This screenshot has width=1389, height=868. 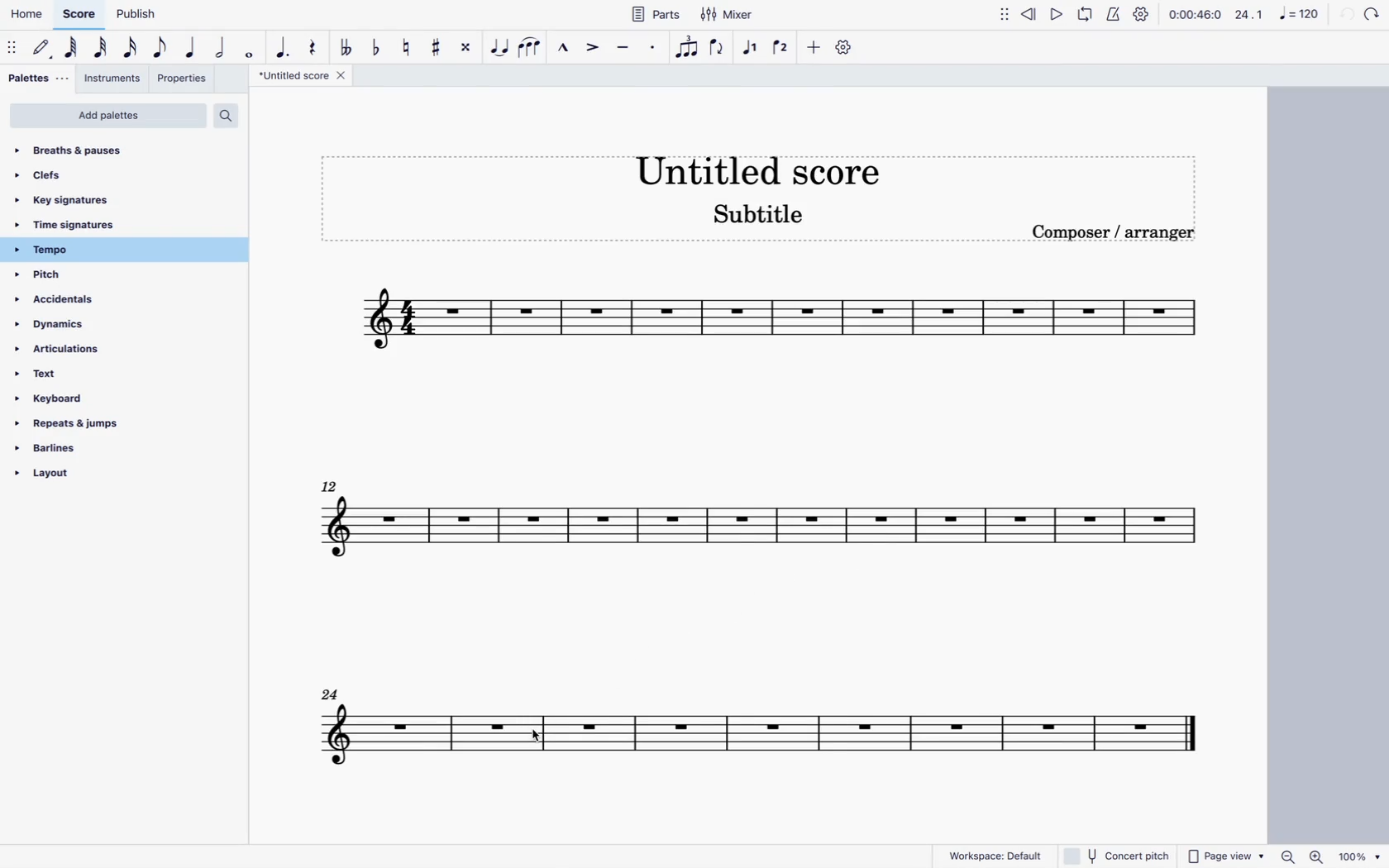 What do you see at coordinates (1112, 17) in the screenshot?
I see `metronome` at bounding box center [1112, 17].